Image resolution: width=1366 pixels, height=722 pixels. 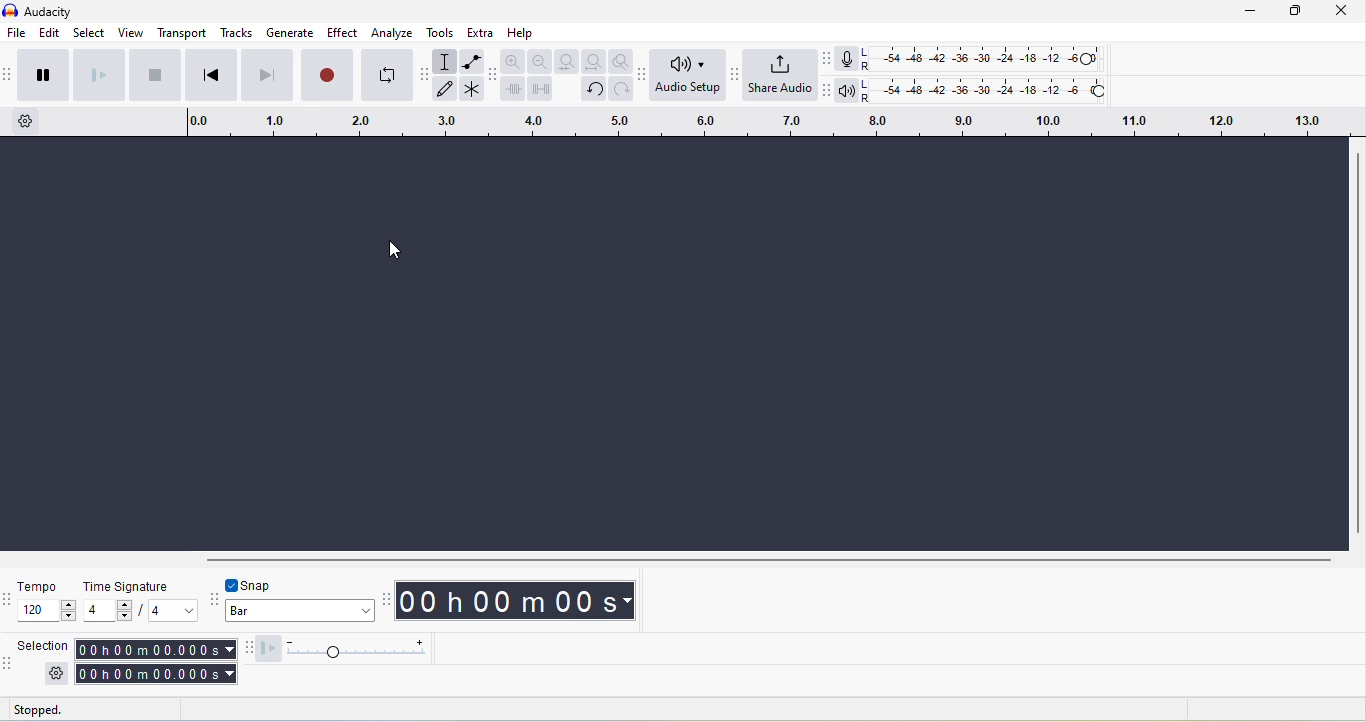 What do you see at coordinates (473, 60) in the screenshot?
I see `envelope tool` at bounding box center [473, 60].